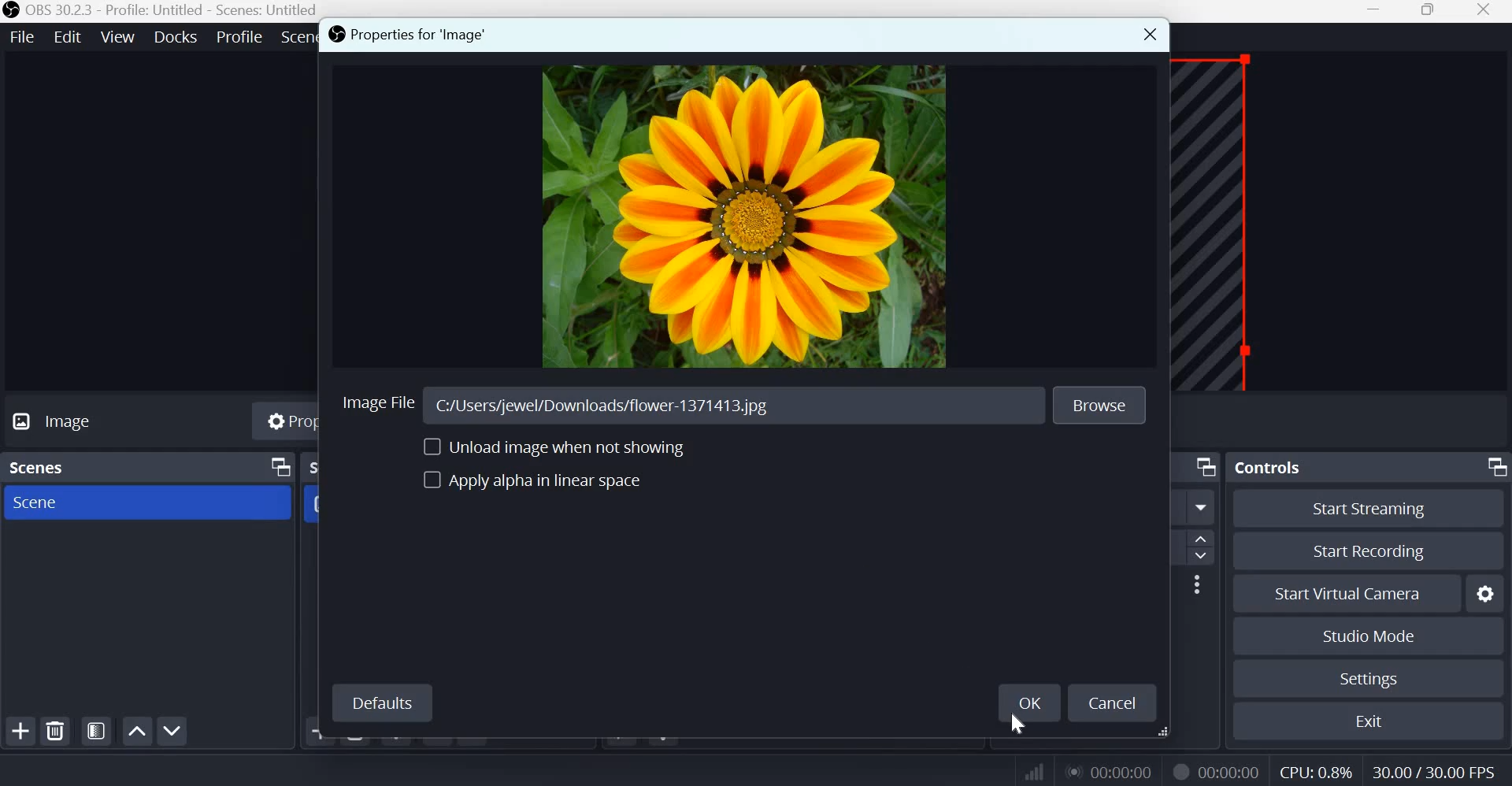  What do you see at coordinates (416, 36) in the screenshot?
I see `Properties for 'Image'` at bounding box center [416, 36].